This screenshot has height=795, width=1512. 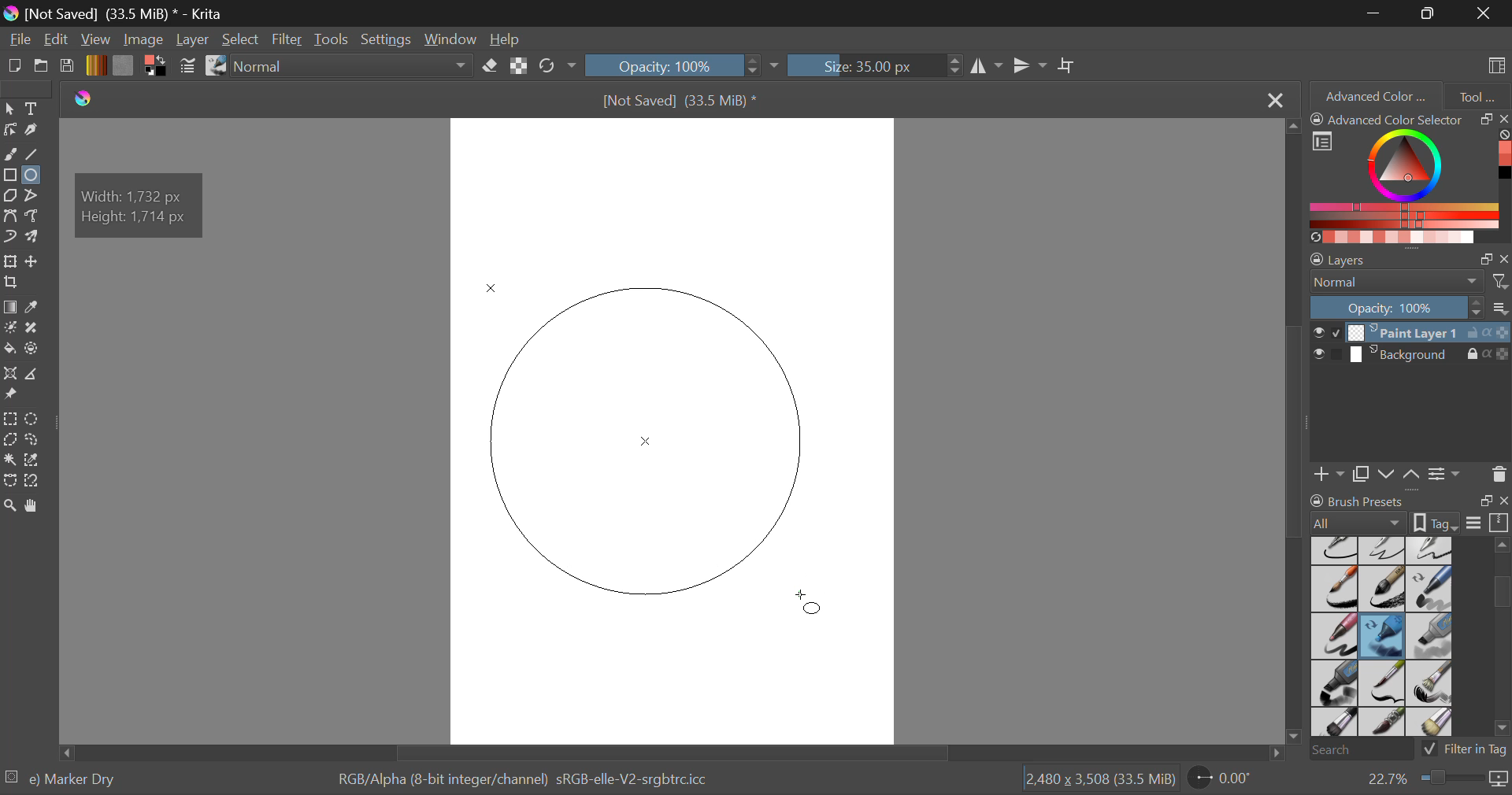 What do you see at coordinates (1444, 473) in the screenshot?
I see `Settings` at bounding box center [1444, 473].